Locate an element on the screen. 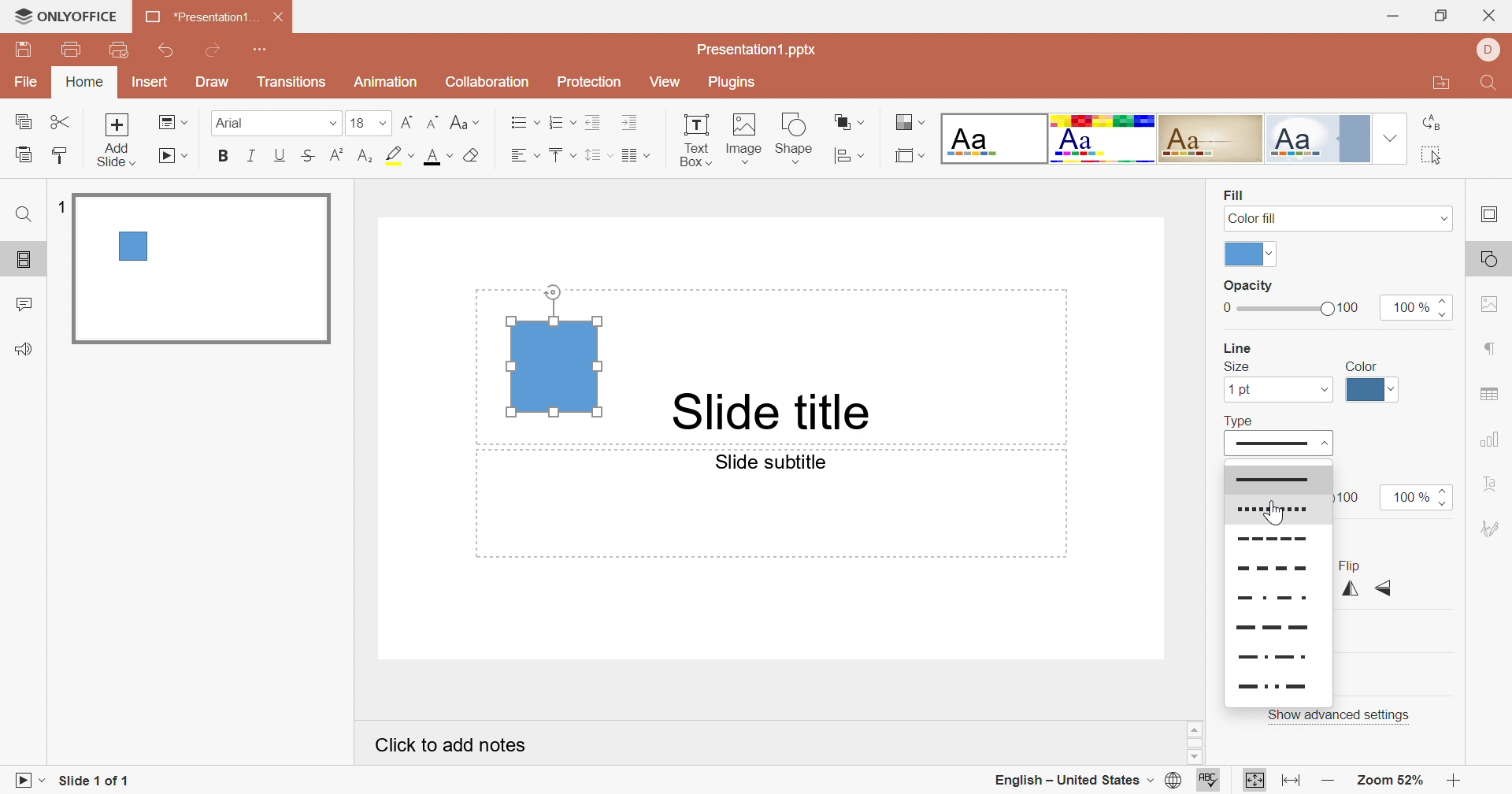  Images is located at coordinates (743, 137).